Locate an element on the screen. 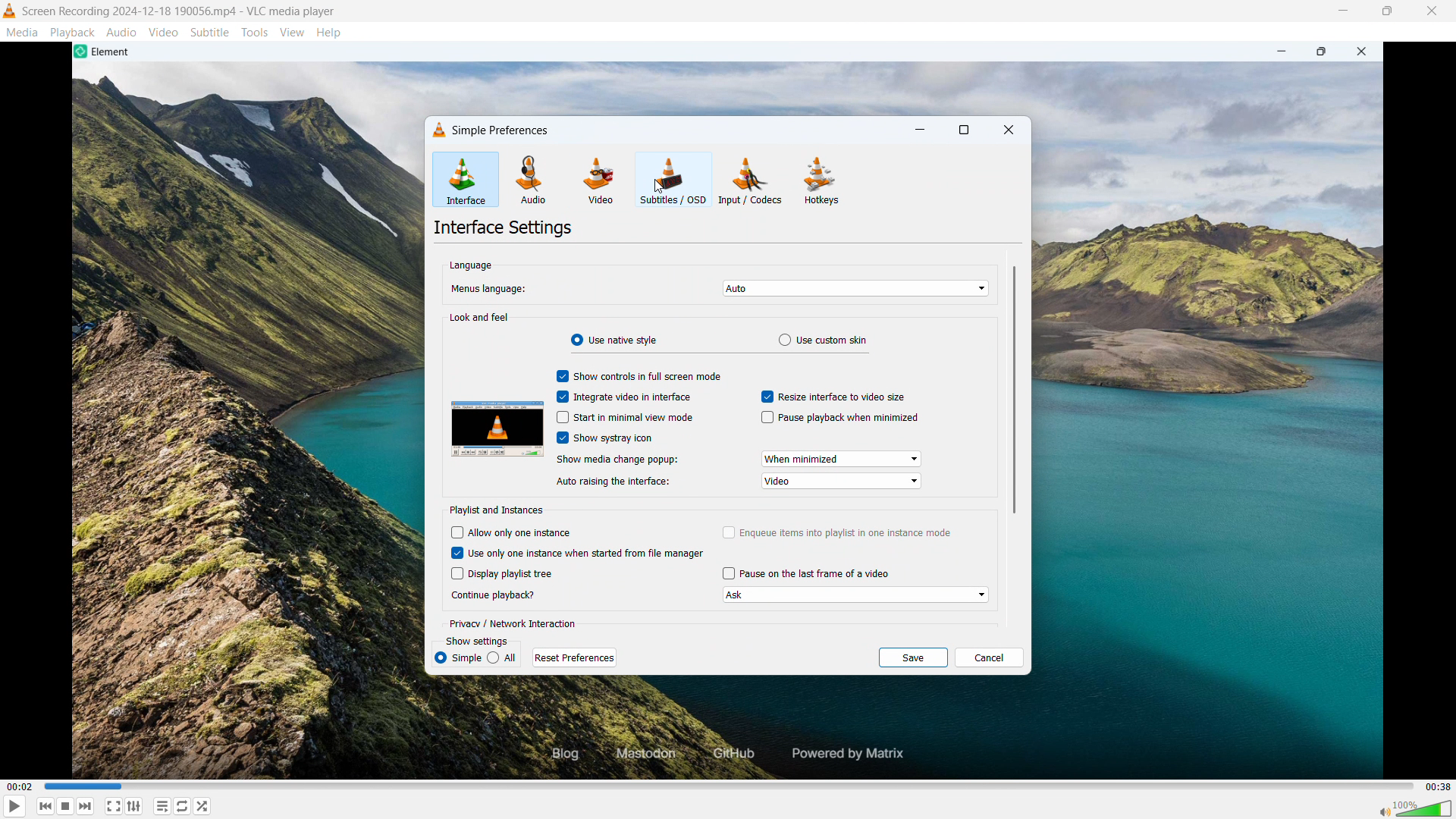 Image resolution: width=1456 pixels, height=819 pixels. View  is located at coordinates (293, 32).